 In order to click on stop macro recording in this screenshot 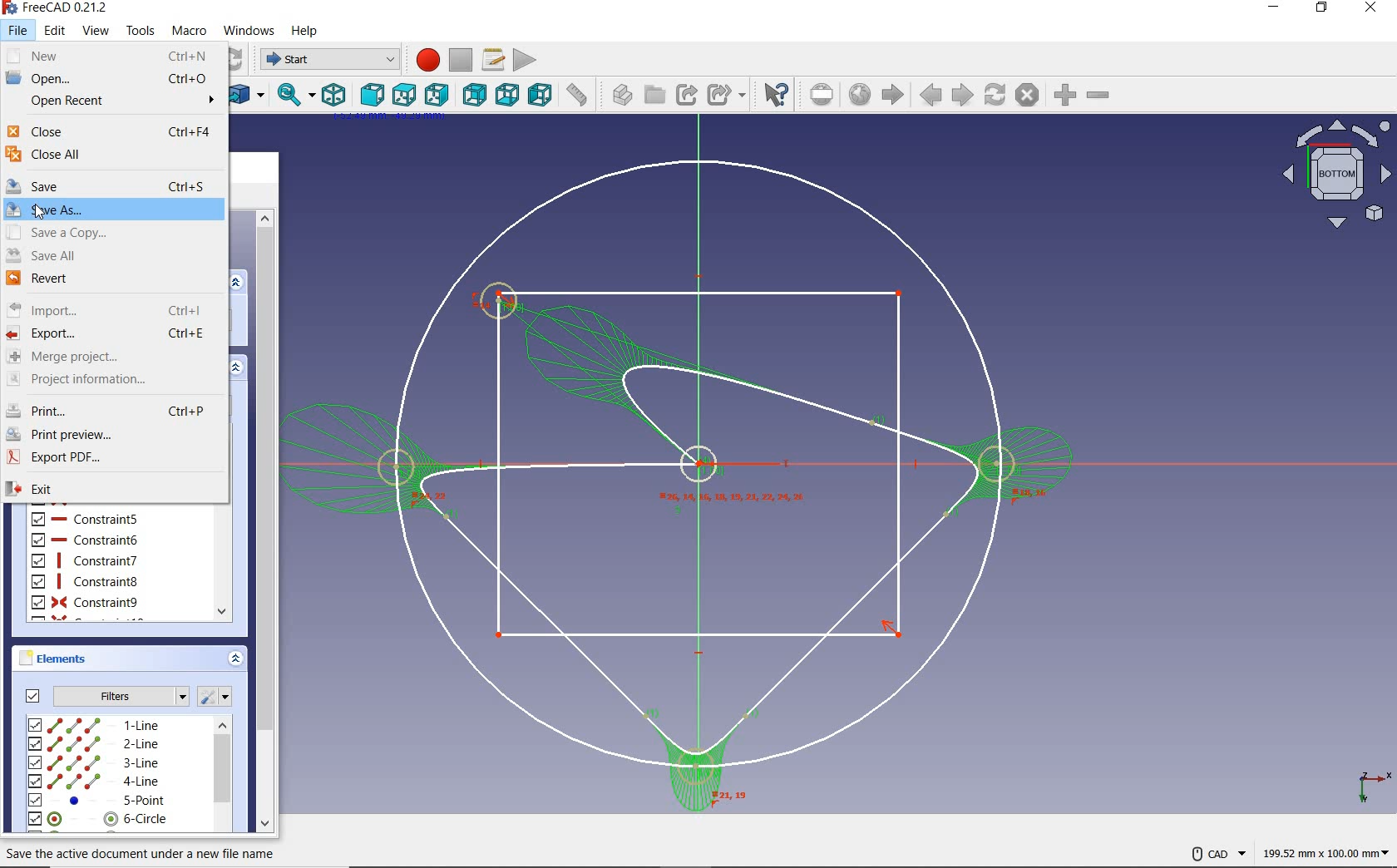, I will do `click(461, 60)`.